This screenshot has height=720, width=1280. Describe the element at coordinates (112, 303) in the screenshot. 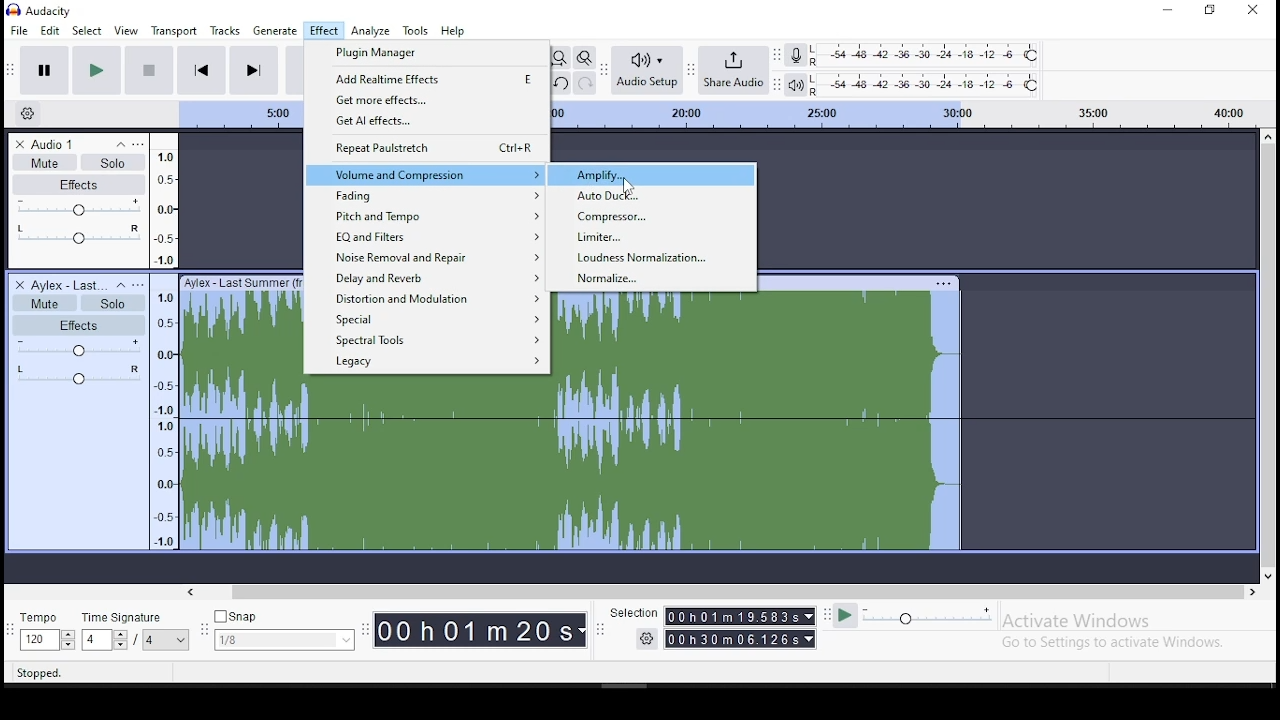

I see `solo` at that location.